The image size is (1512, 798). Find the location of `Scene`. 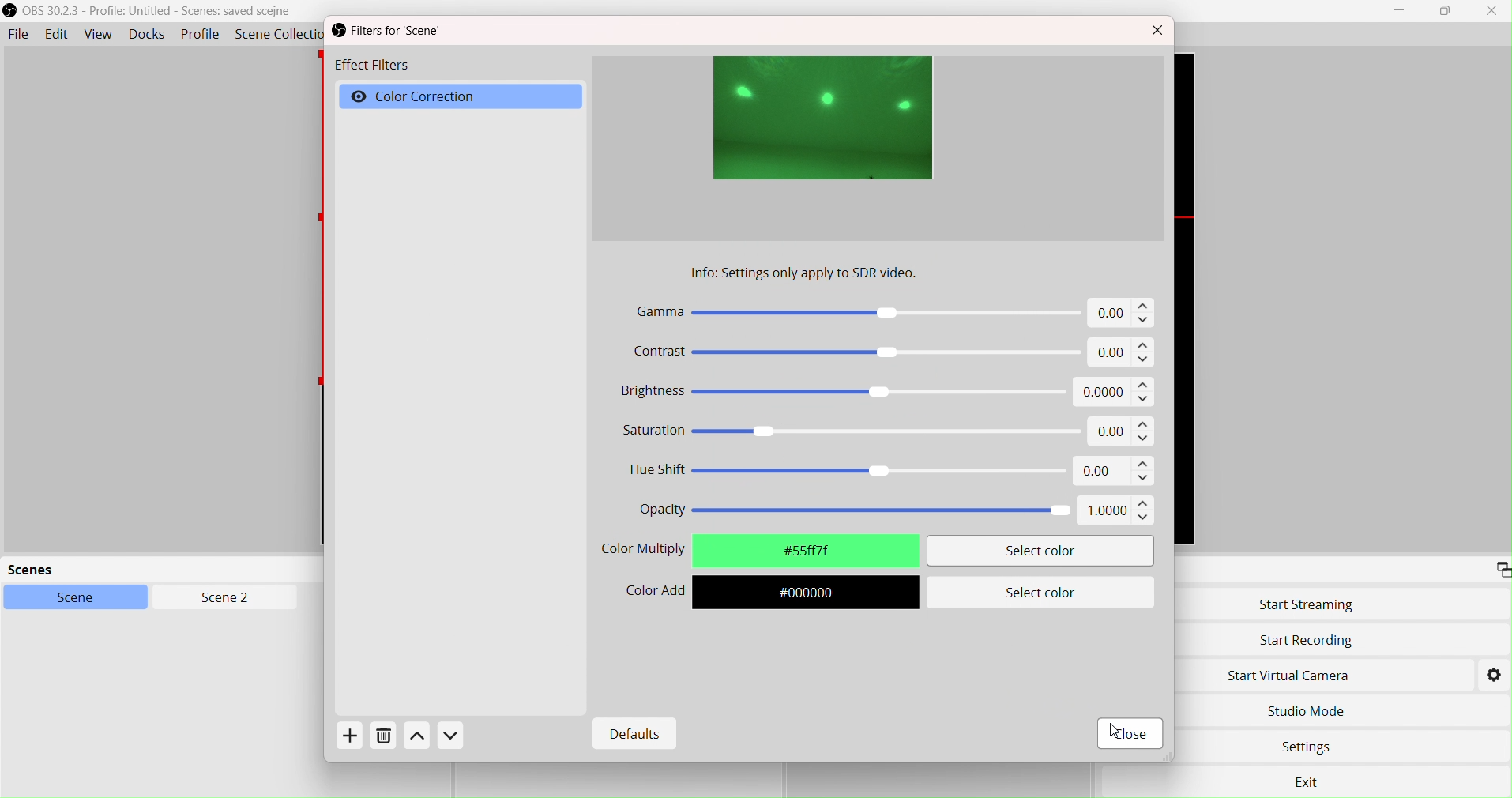

Scene is located at coordinates (85, 598).